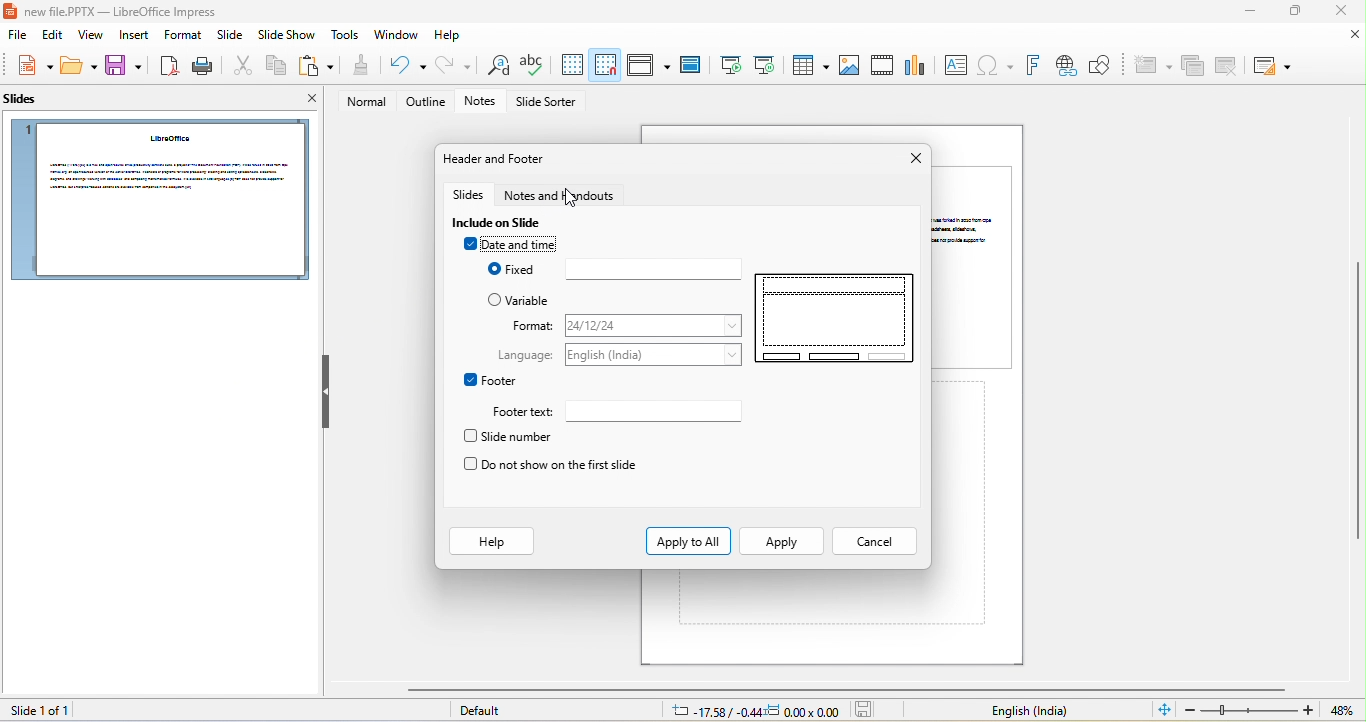 Image resolution: width=1366 pixels, height=722 pixels. I want to click on apply, so click(782, 541).